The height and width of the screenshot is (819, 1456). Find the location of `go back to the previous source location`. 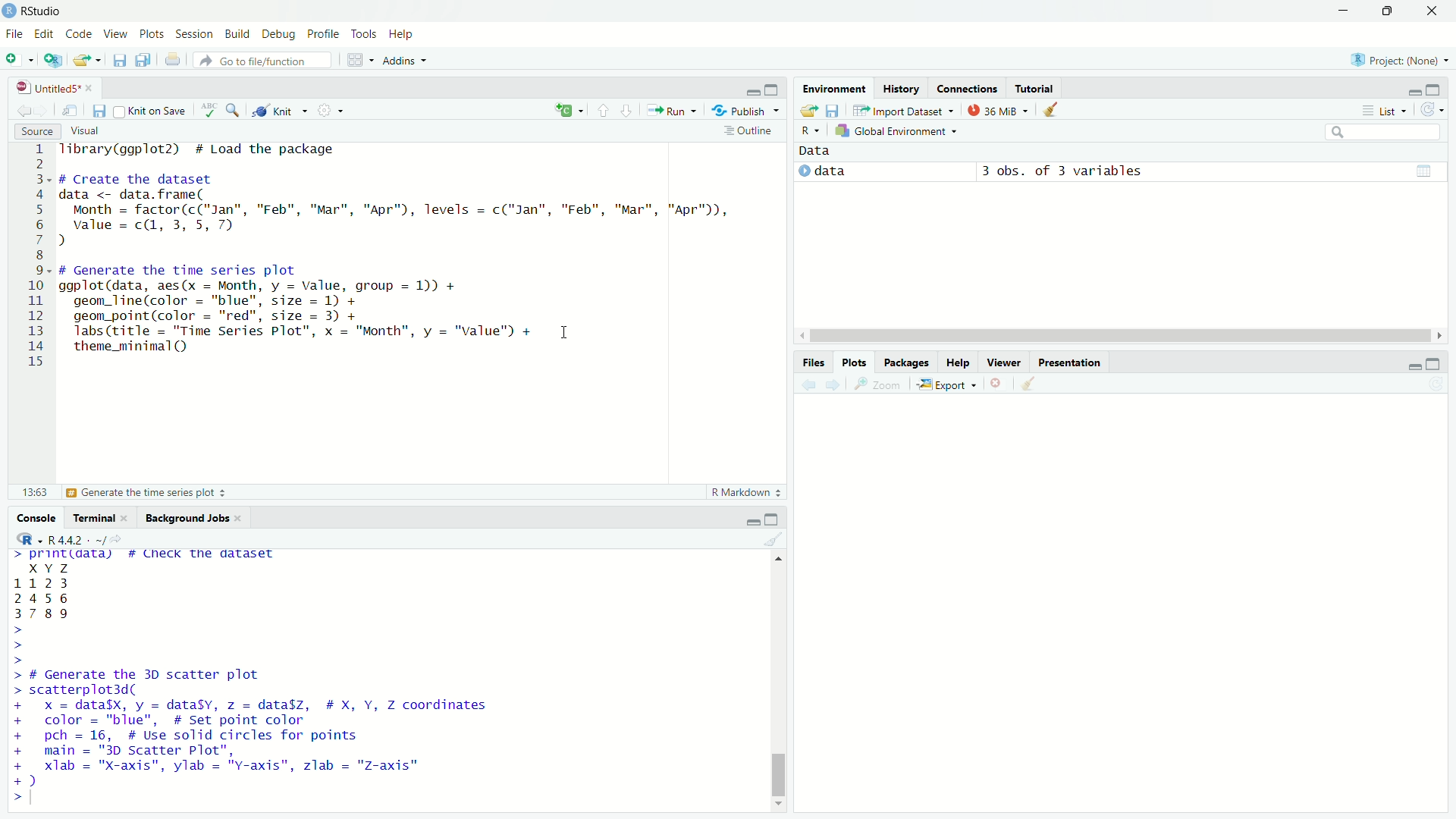

go back to the previous source location is located at coordinates (22, 111).